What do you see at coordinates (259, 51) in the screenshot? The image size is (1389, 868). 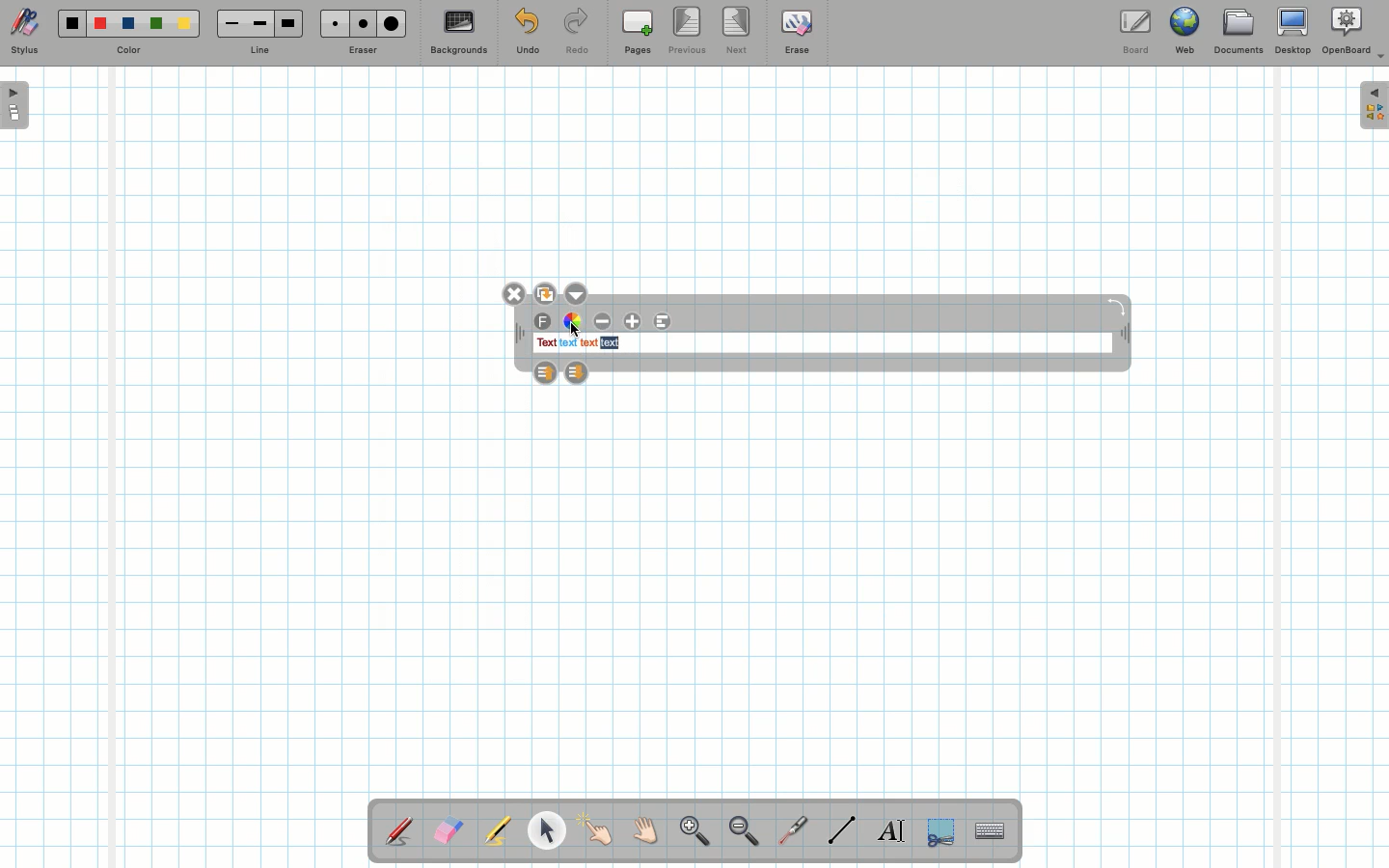 I see `Line` at bounding box center [259, 51].